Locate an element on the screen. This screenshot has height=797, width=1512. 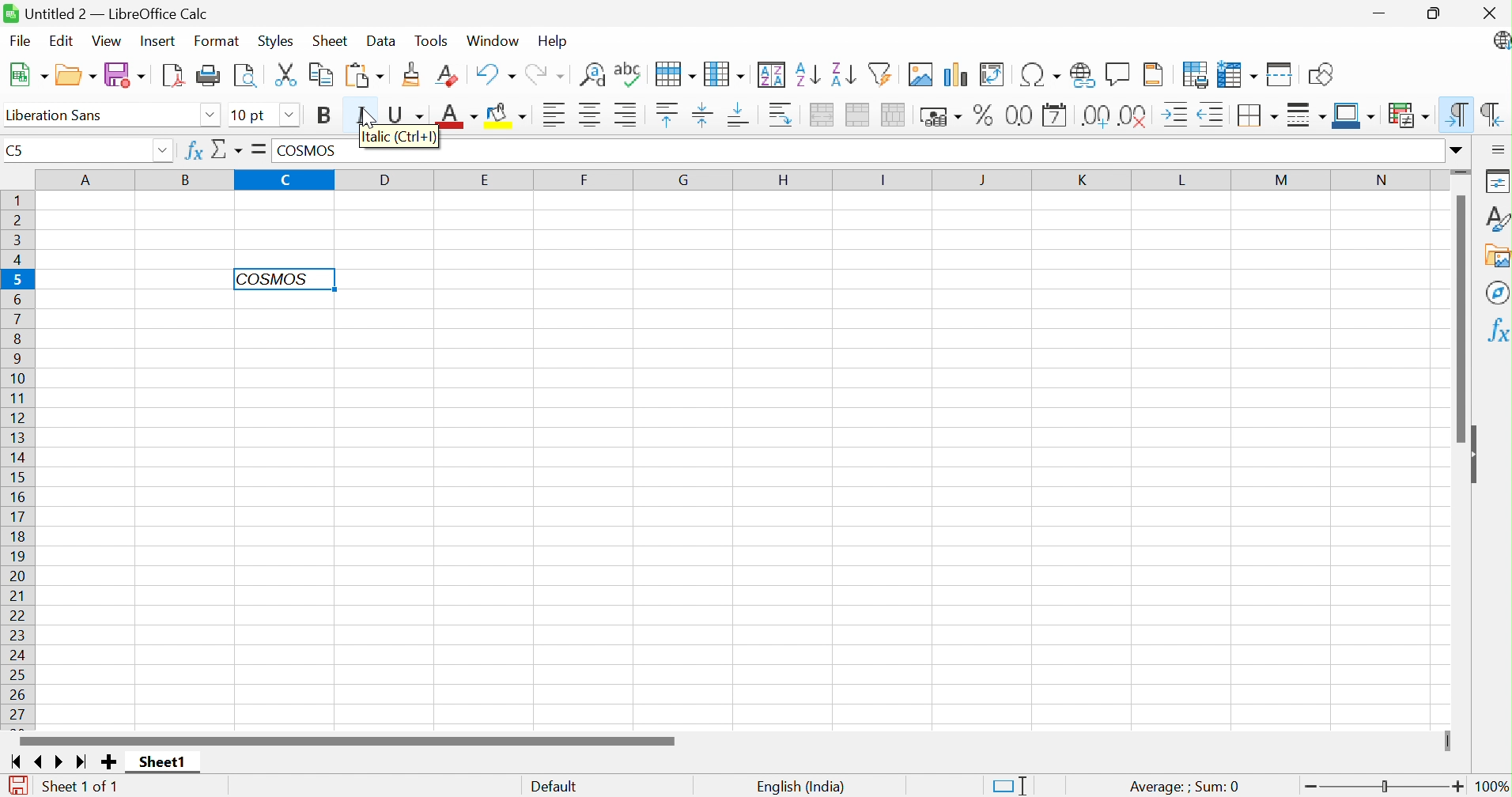
Format as percent is located at coordinates (986, 115).